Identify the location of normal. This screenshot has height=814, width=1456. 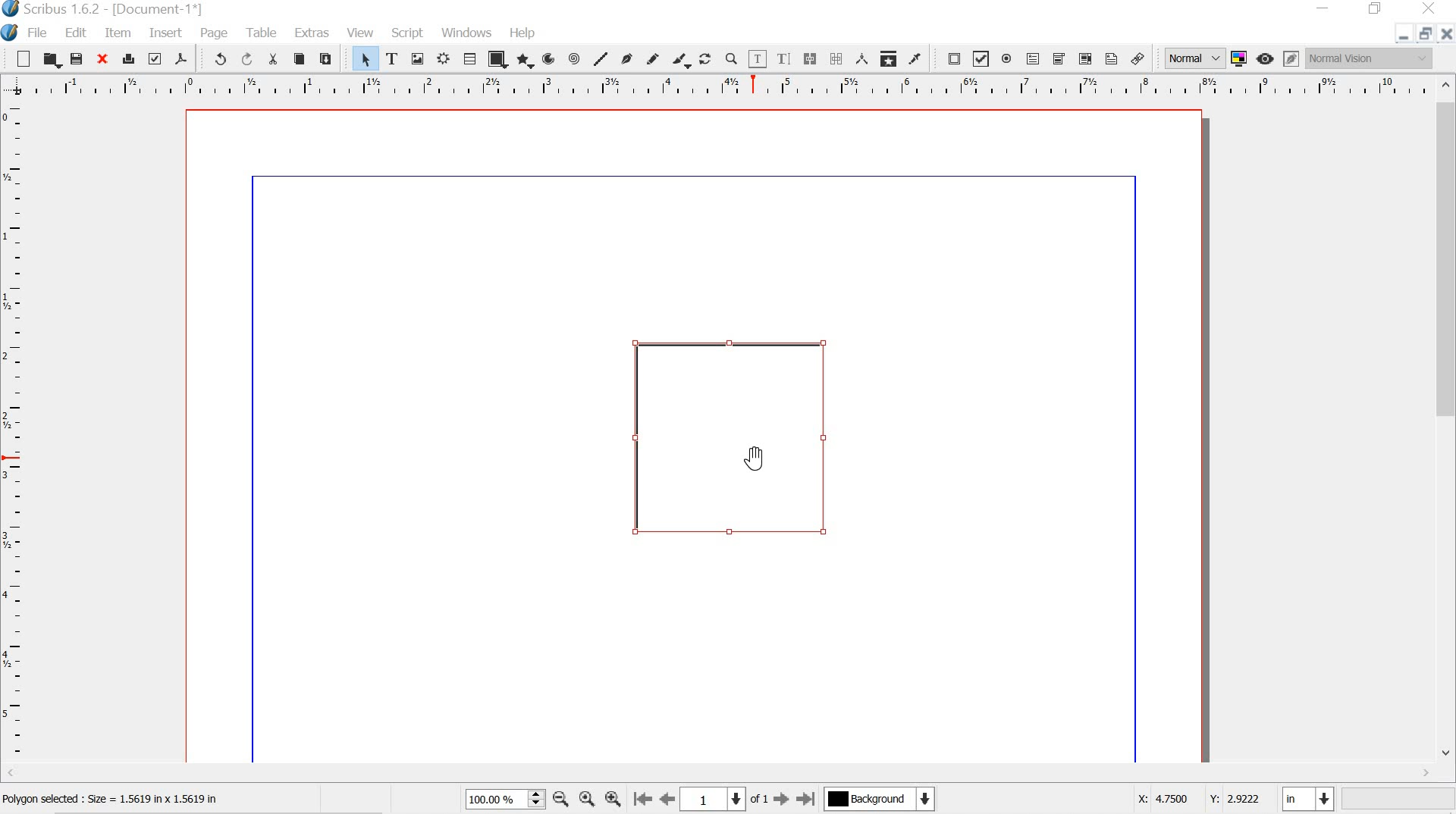
(1194, 58).